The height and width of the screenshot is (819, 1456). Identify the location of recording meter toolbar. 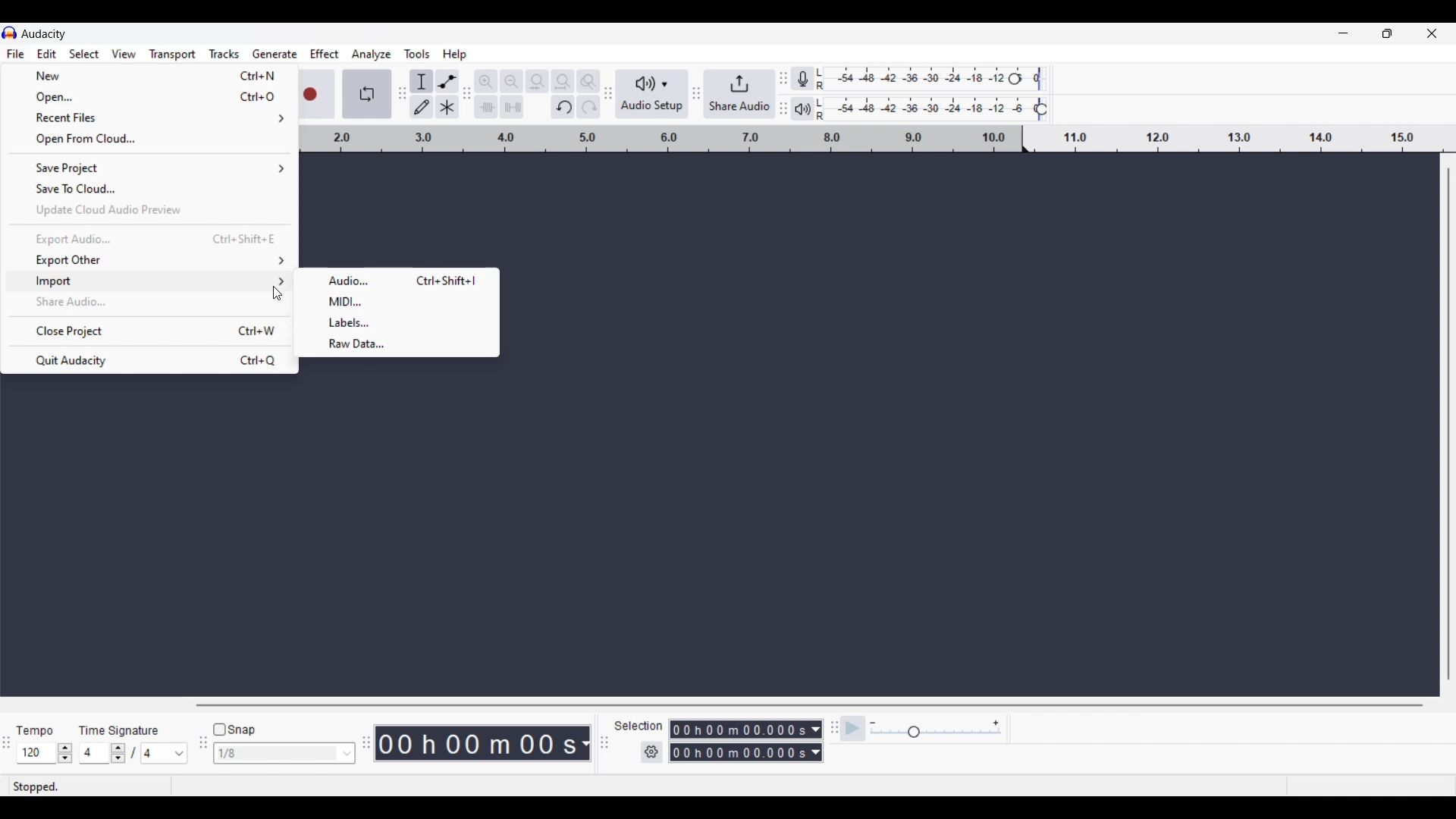
(783, 73).